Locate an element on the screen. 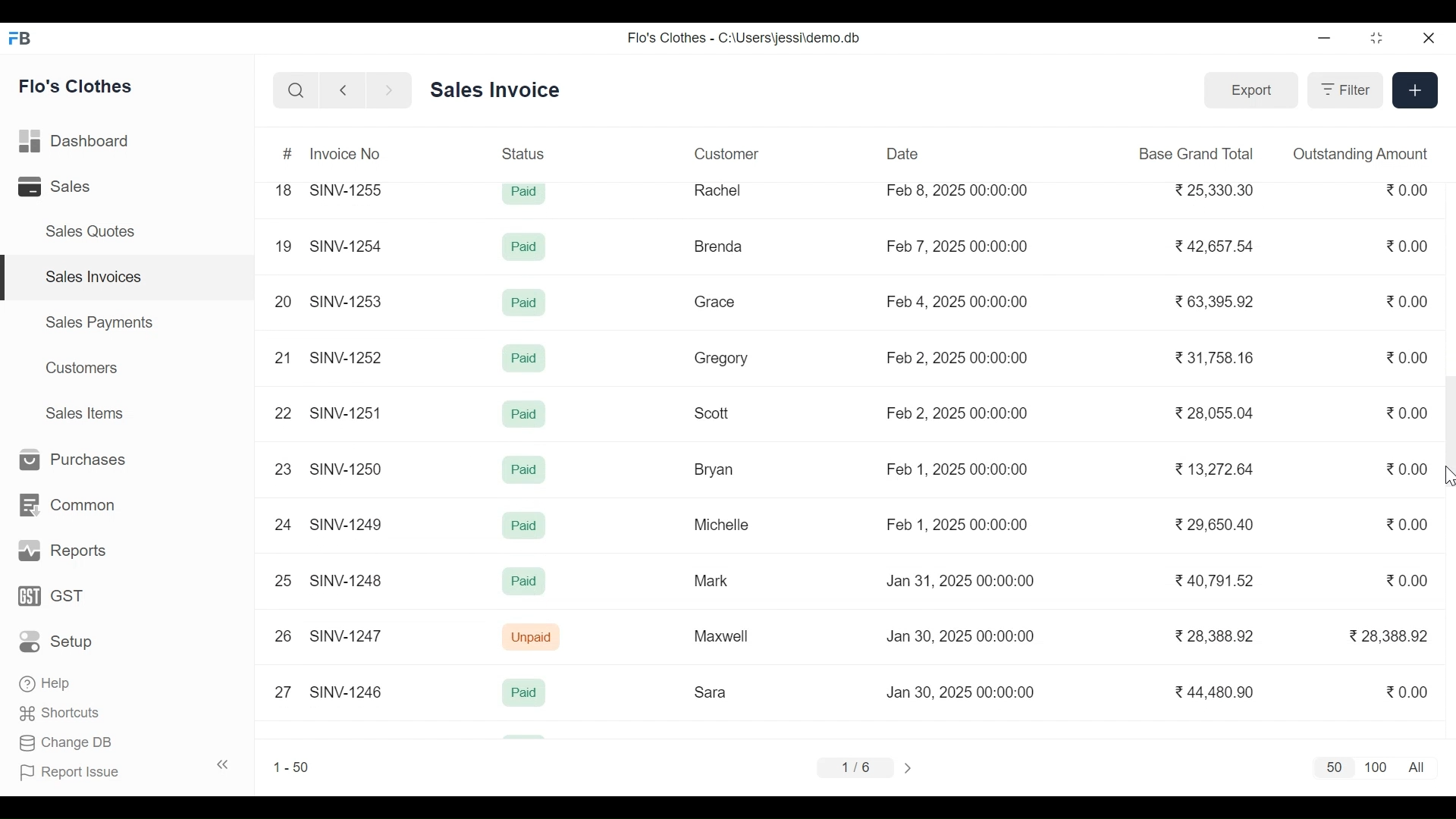  Paid is located at coordinates (526, 249).